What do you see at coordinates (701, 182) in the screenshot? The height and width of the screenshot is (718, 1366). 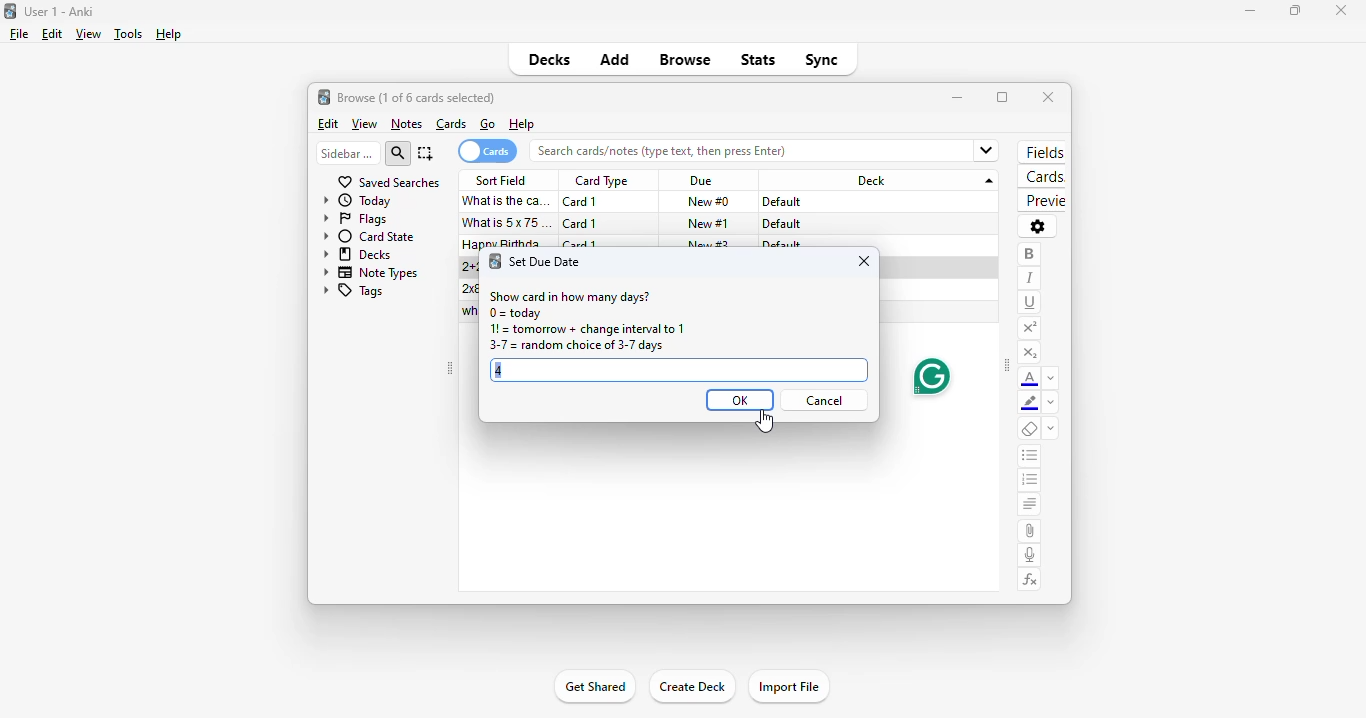 I see `due` at bounding box center [701, 182].